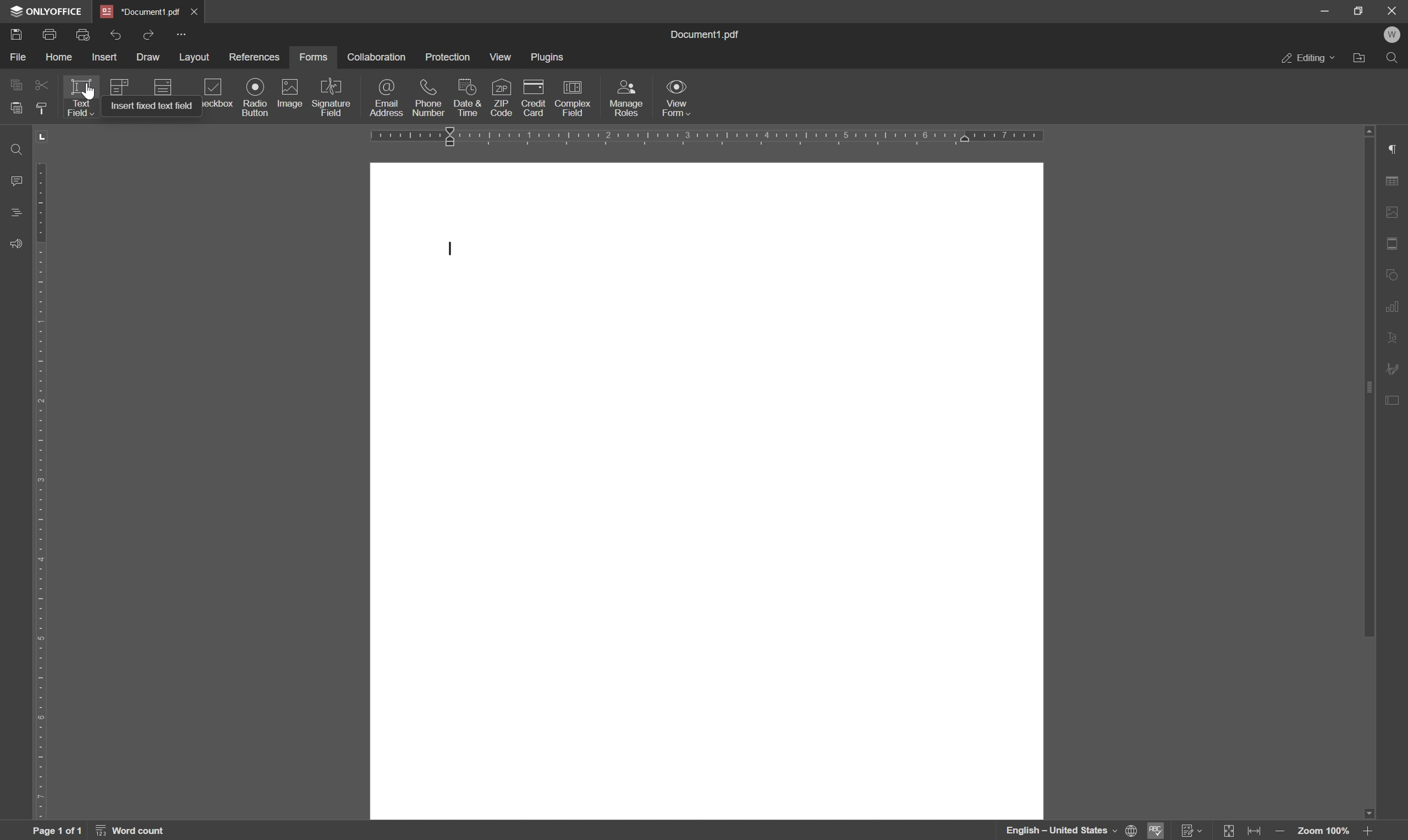  Describe the element at coordinates (1394, 57) in the screenshot. I see `find` at that location.